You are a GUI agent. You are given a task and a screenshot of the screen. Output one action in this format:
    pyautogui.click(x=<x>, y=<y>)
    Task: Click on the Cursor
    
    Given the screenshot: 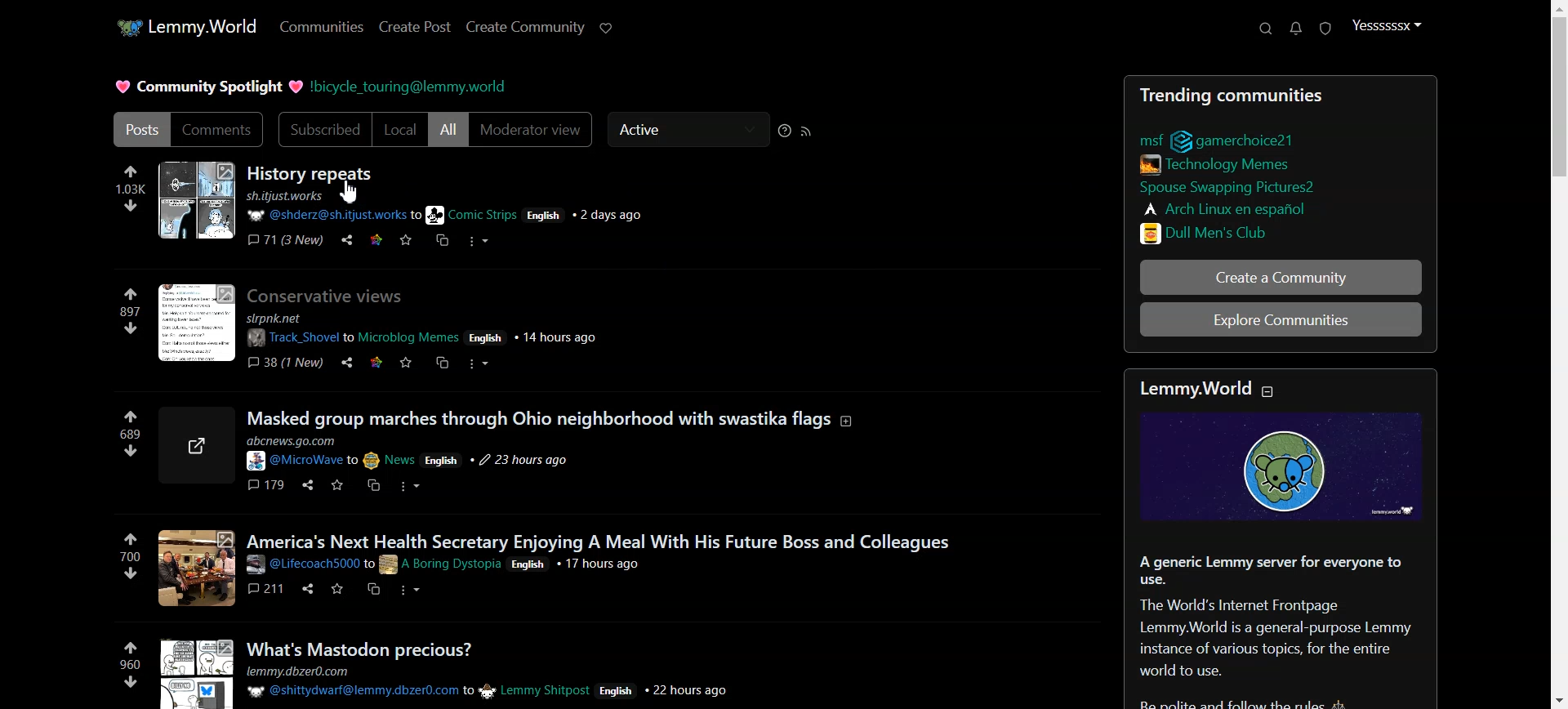 What is the action you would take?
    pyautogui.click(x=352, y=192)
    